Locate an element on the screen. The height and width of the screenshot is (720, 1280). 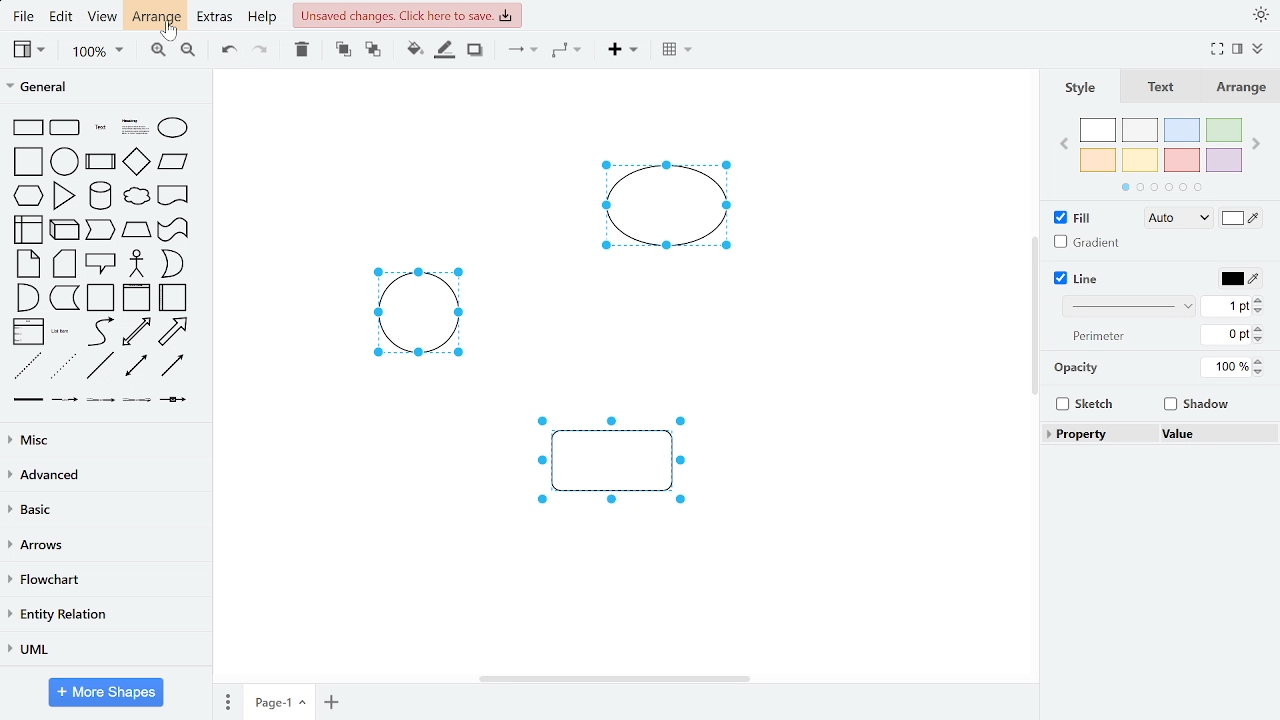
UML is located at coordinates (103, 649).